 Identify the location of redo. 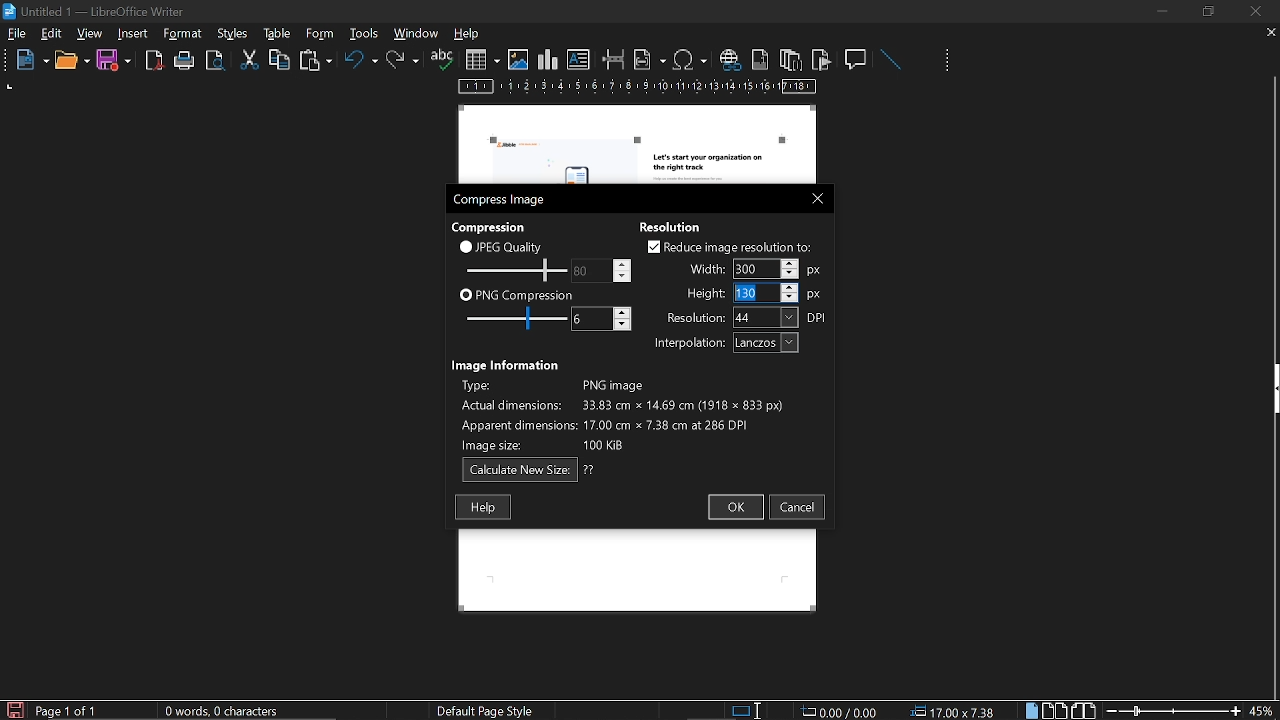
(403, 60).